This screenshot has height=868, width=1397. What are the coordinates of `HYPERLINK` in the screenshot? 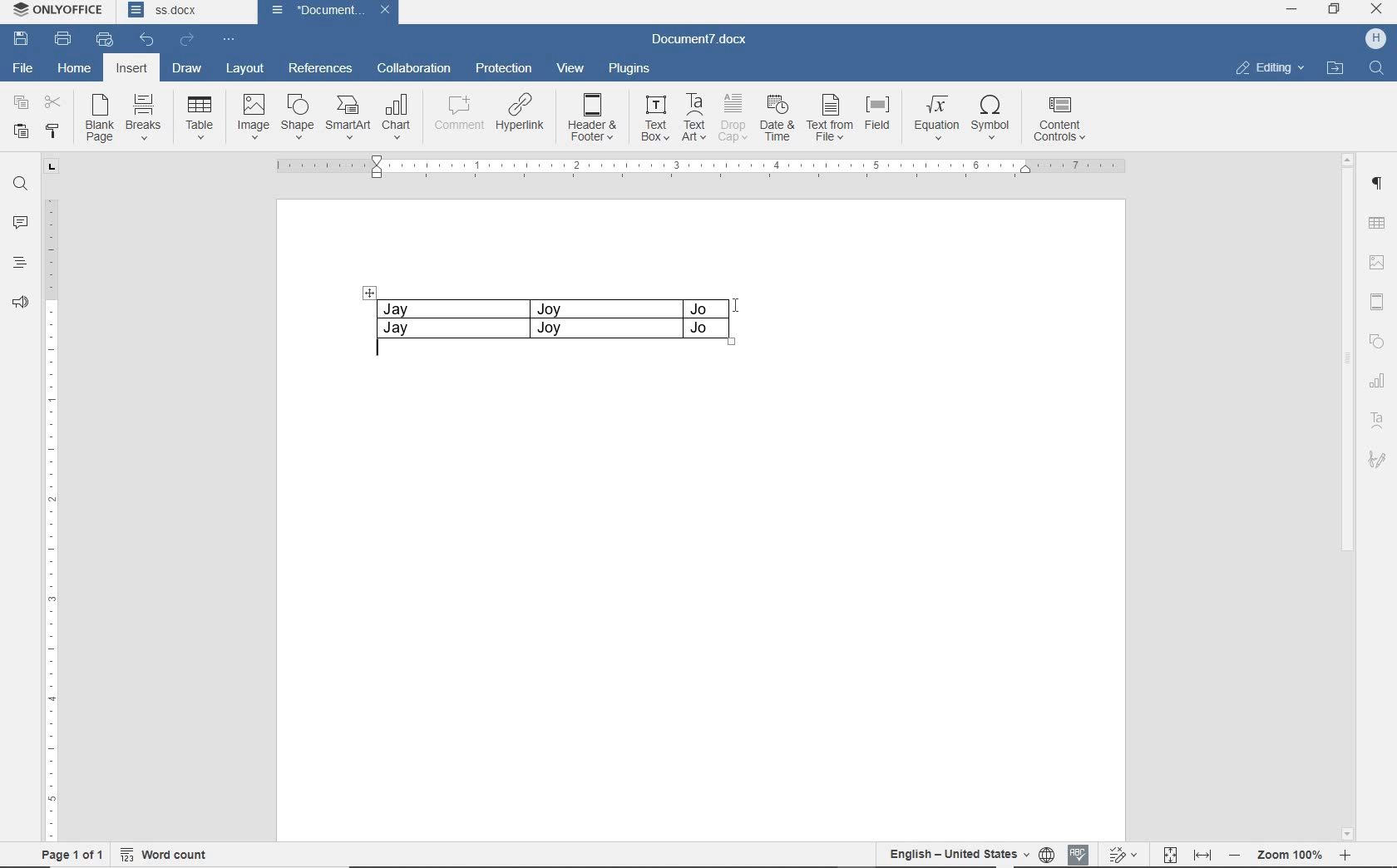 It's located at (521, 116).